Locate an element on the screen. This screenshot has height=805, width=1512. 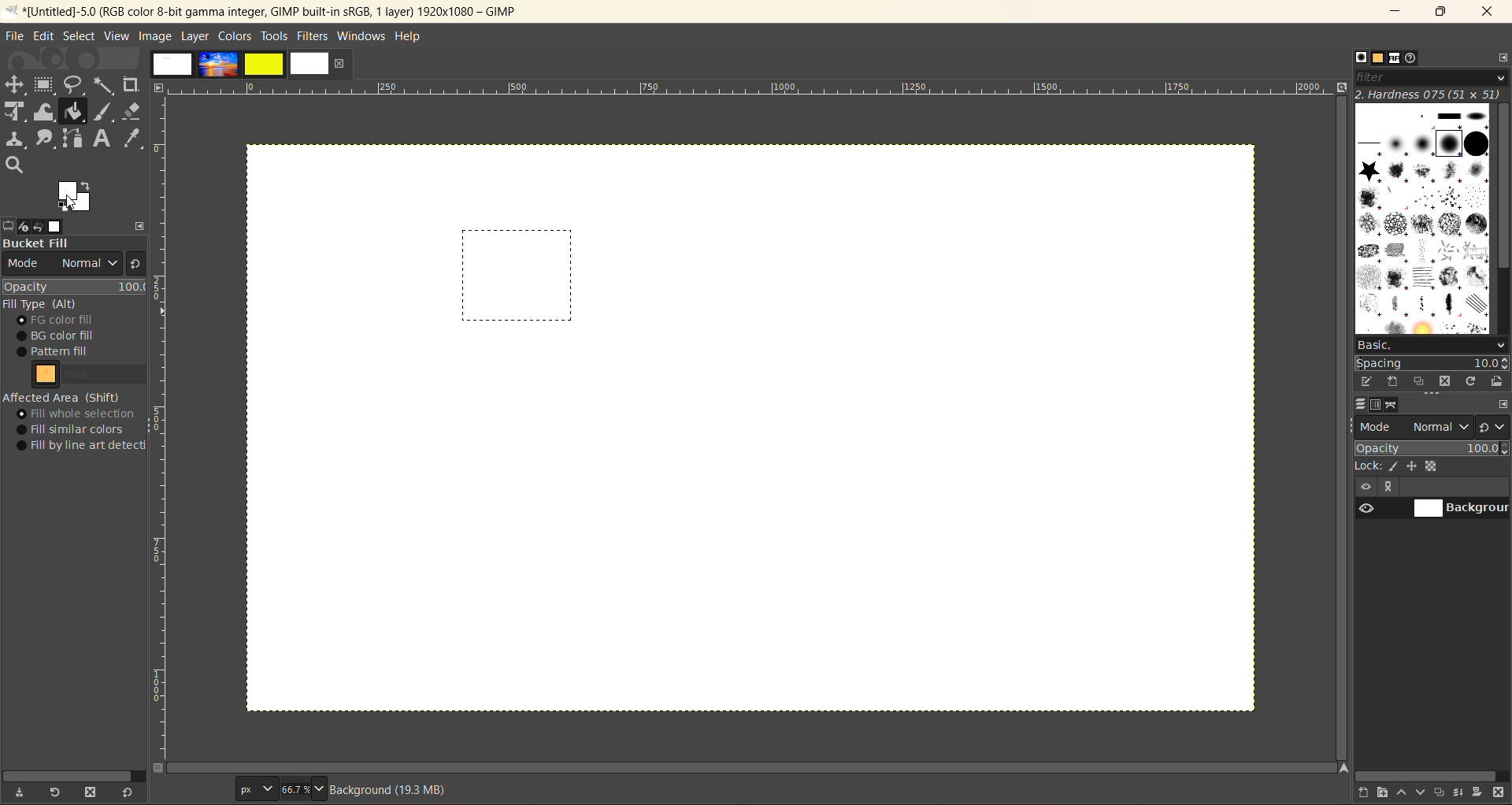
pattern is located at coordinates (92, 377).